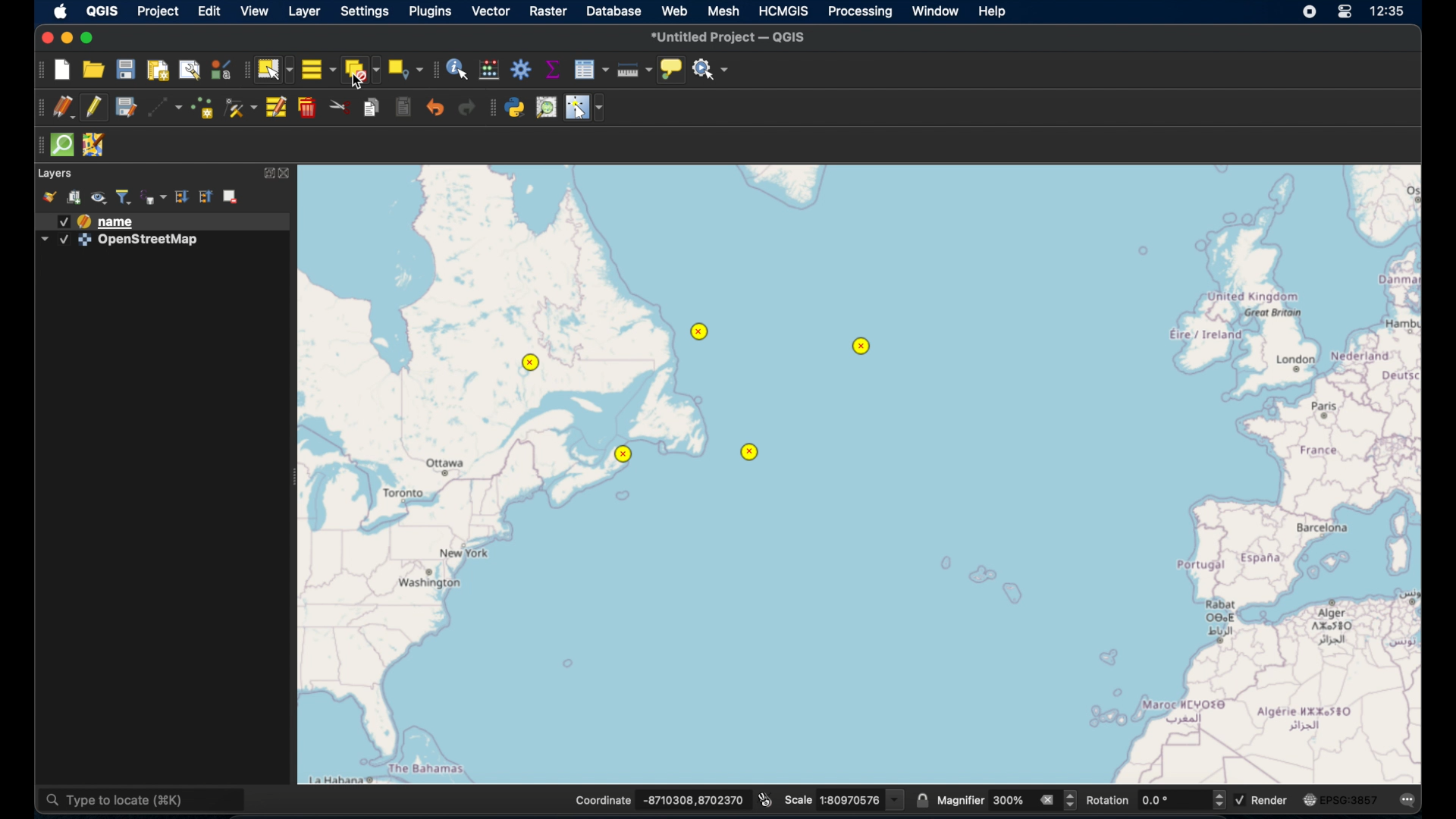 This screenshot has height=819, width=1456. Describe the element at coordinates (521, 71) in the screenshot. I see `toolbox` at that location.